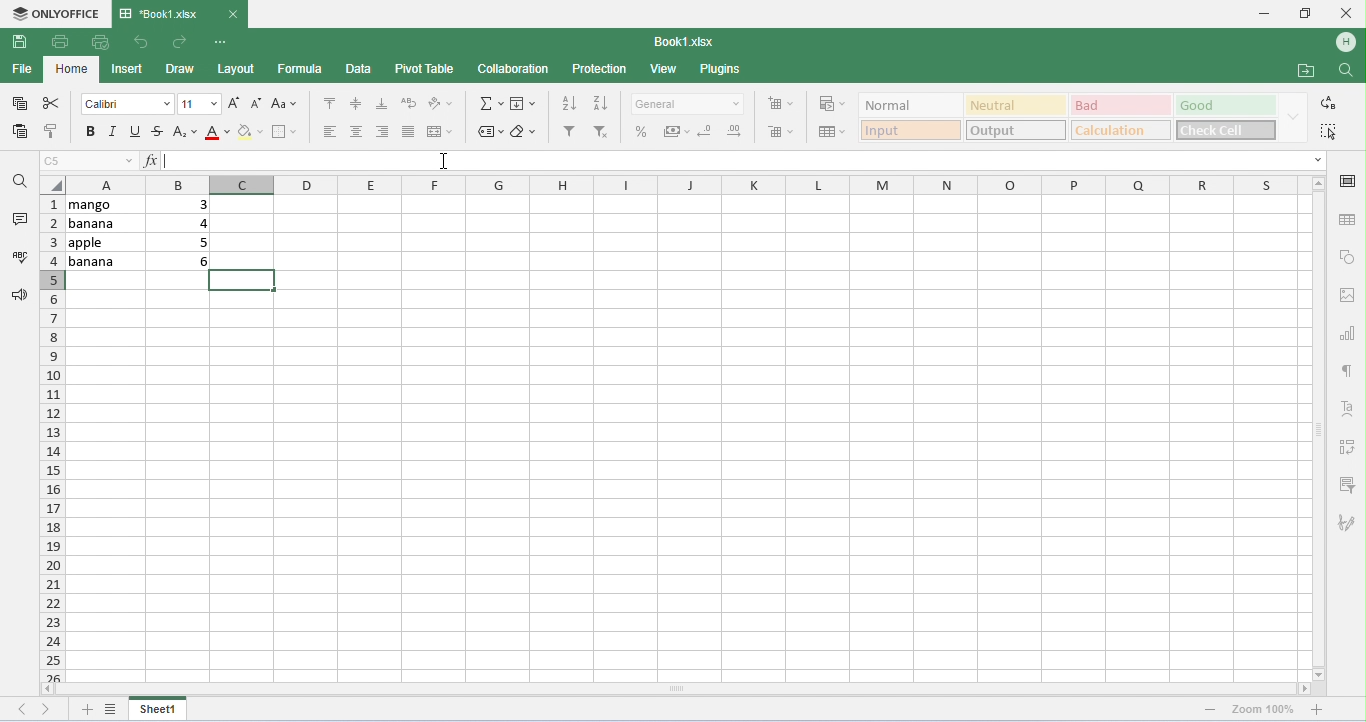 The image size is (1366, 722). Describe the element at coordinates (255, 104) in the screenshot. I see `decrement font size` at that location.